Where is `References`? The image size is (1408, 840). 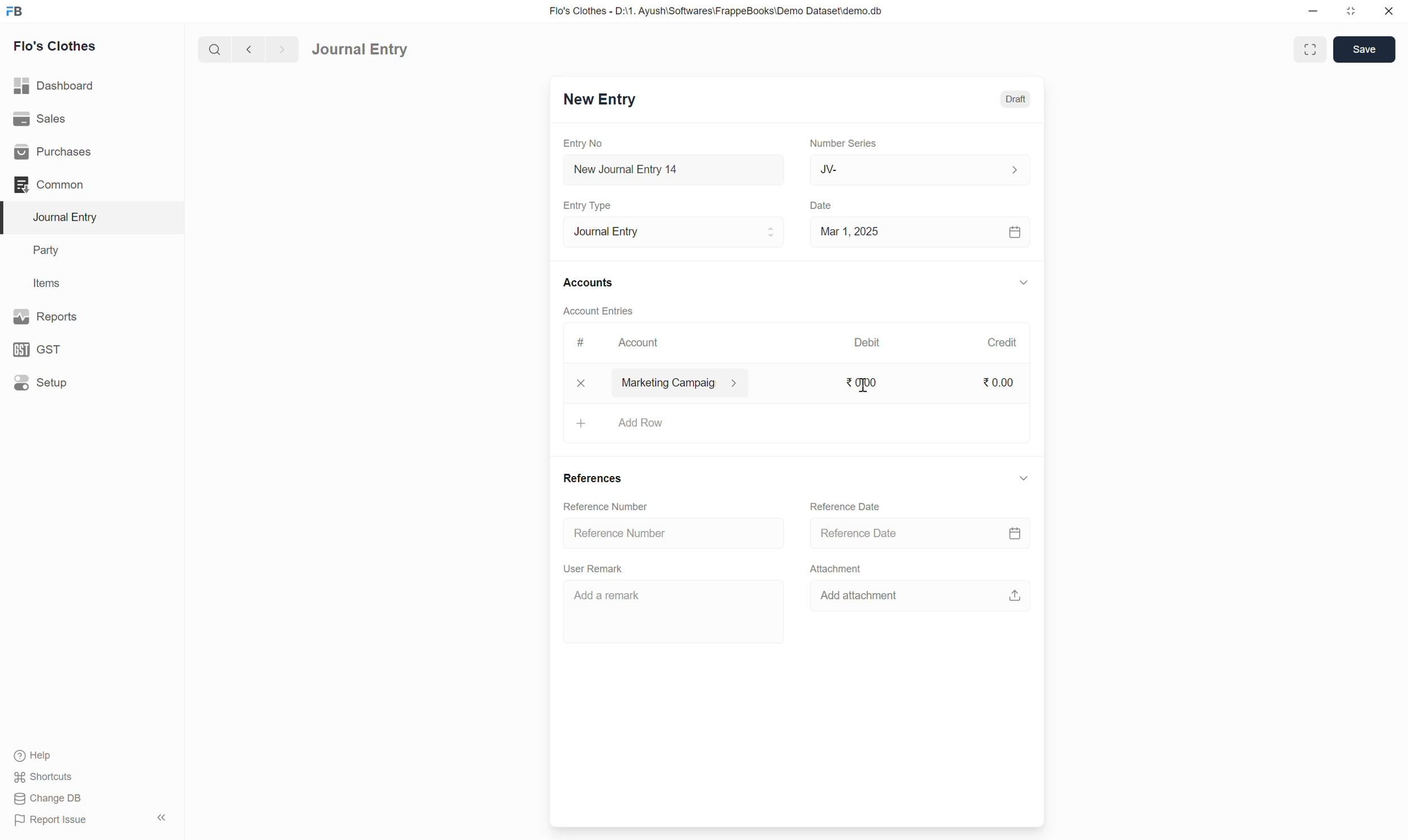
References is located at coordinates (593, 479).